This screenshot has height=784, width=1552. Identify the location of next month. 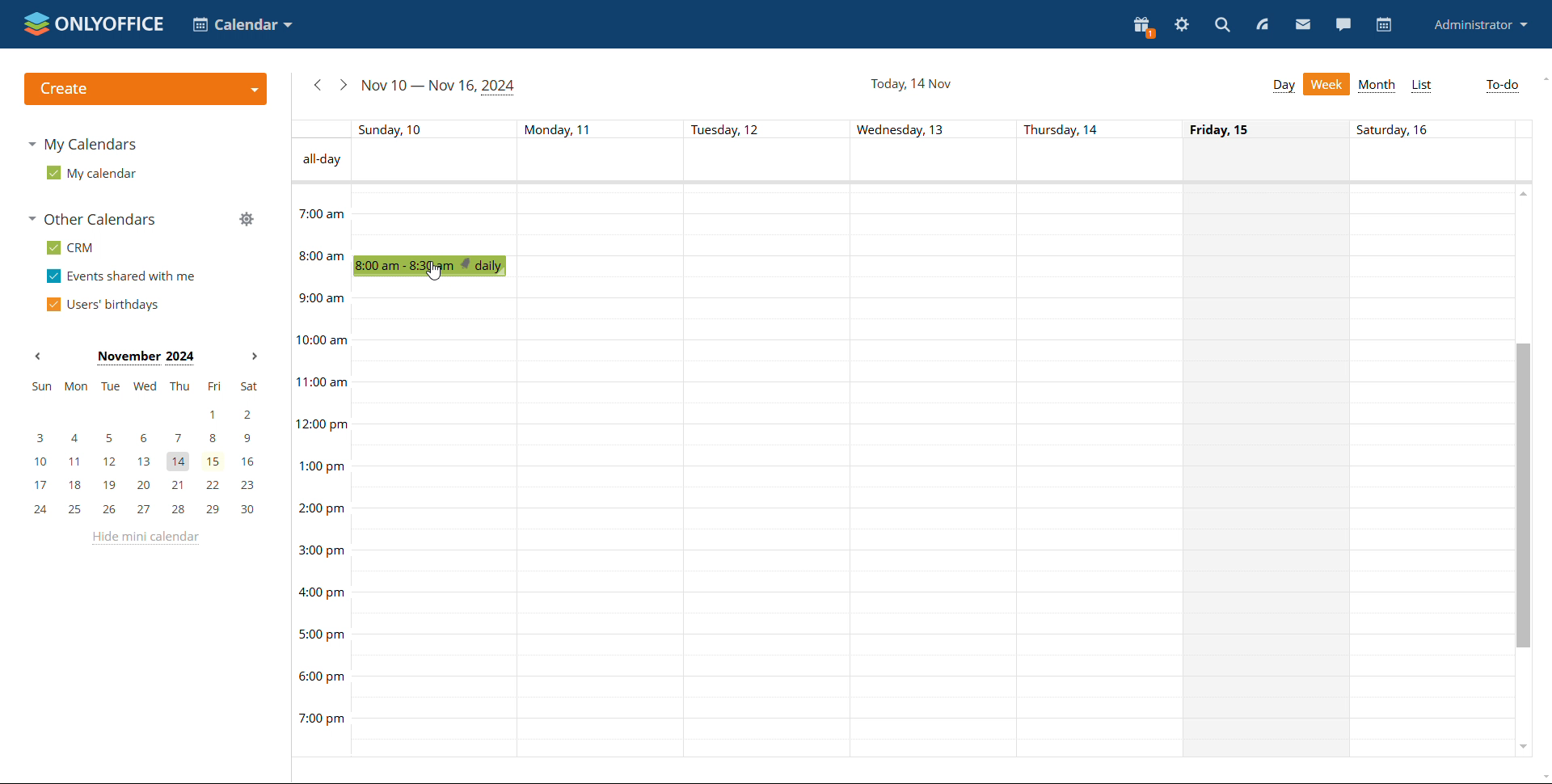
(252, 357).